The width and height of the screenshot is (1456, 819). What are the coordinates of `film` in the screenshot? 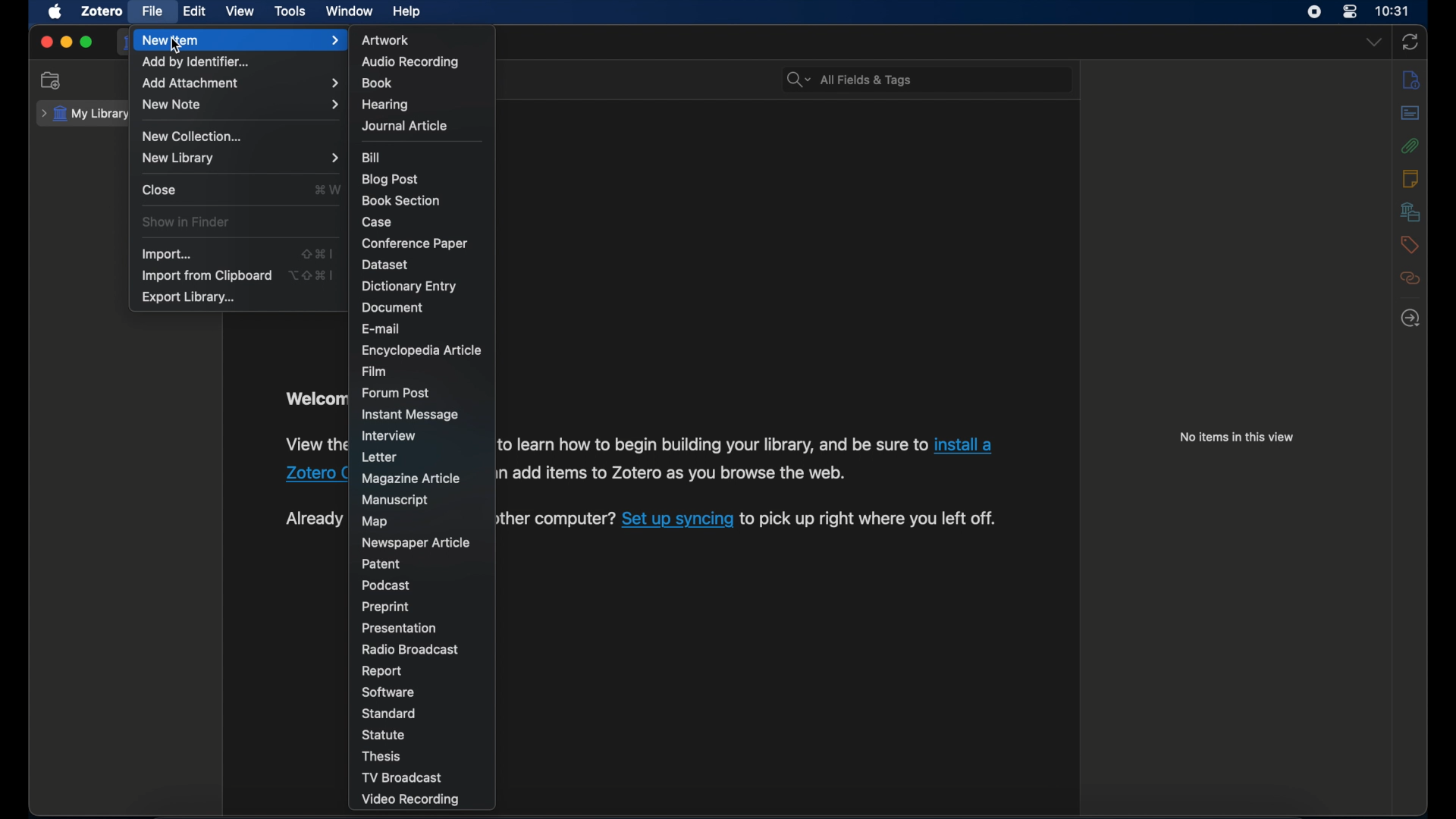 It's located at (375, 371).